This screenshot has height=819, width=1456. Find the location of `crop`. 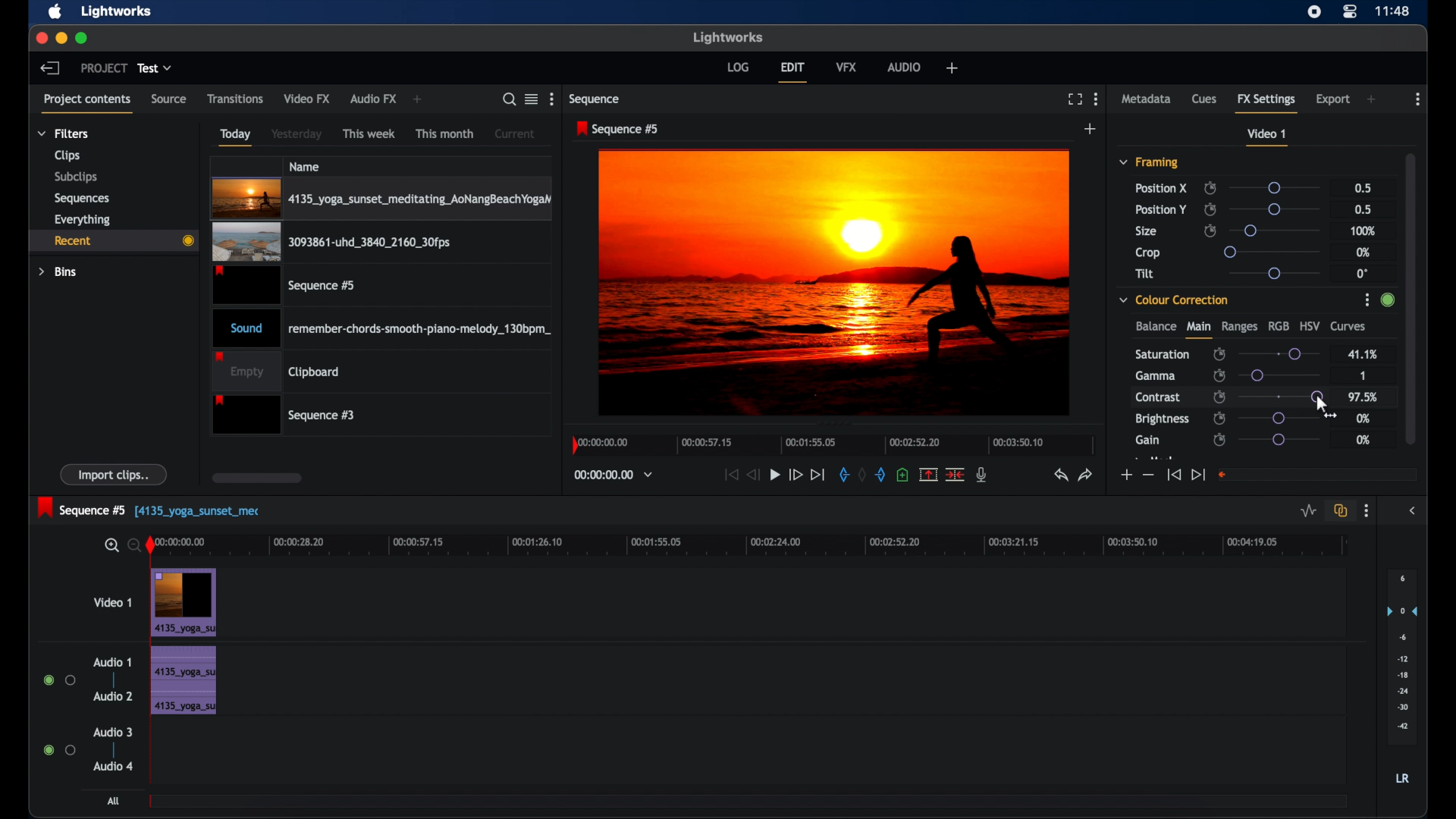

crop is located at coordinates (1148, 253).